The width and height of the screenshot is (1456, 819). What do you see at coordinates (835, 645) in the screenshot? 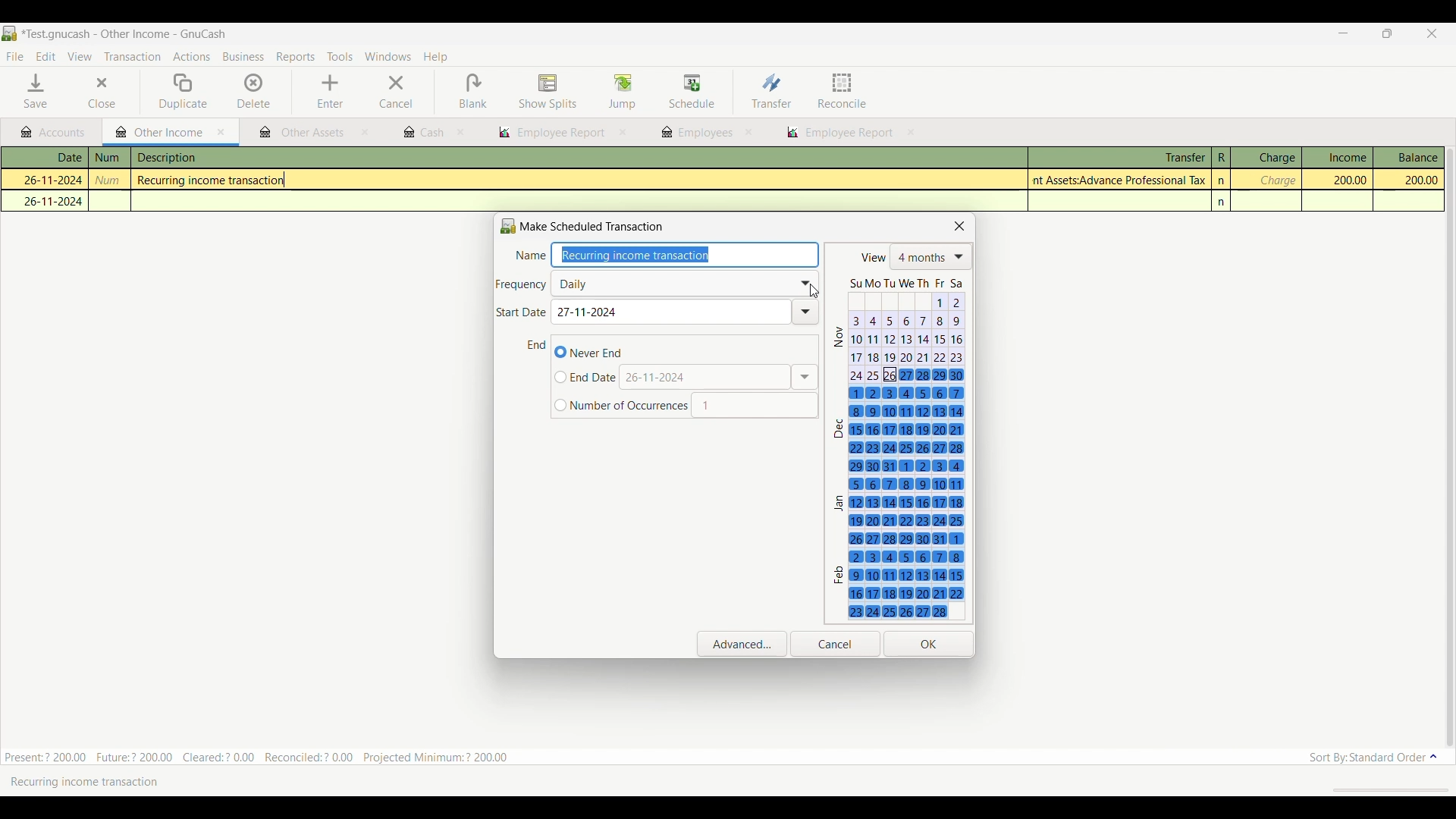
I see `Cancel inputs` at bounding box center [835, 645].